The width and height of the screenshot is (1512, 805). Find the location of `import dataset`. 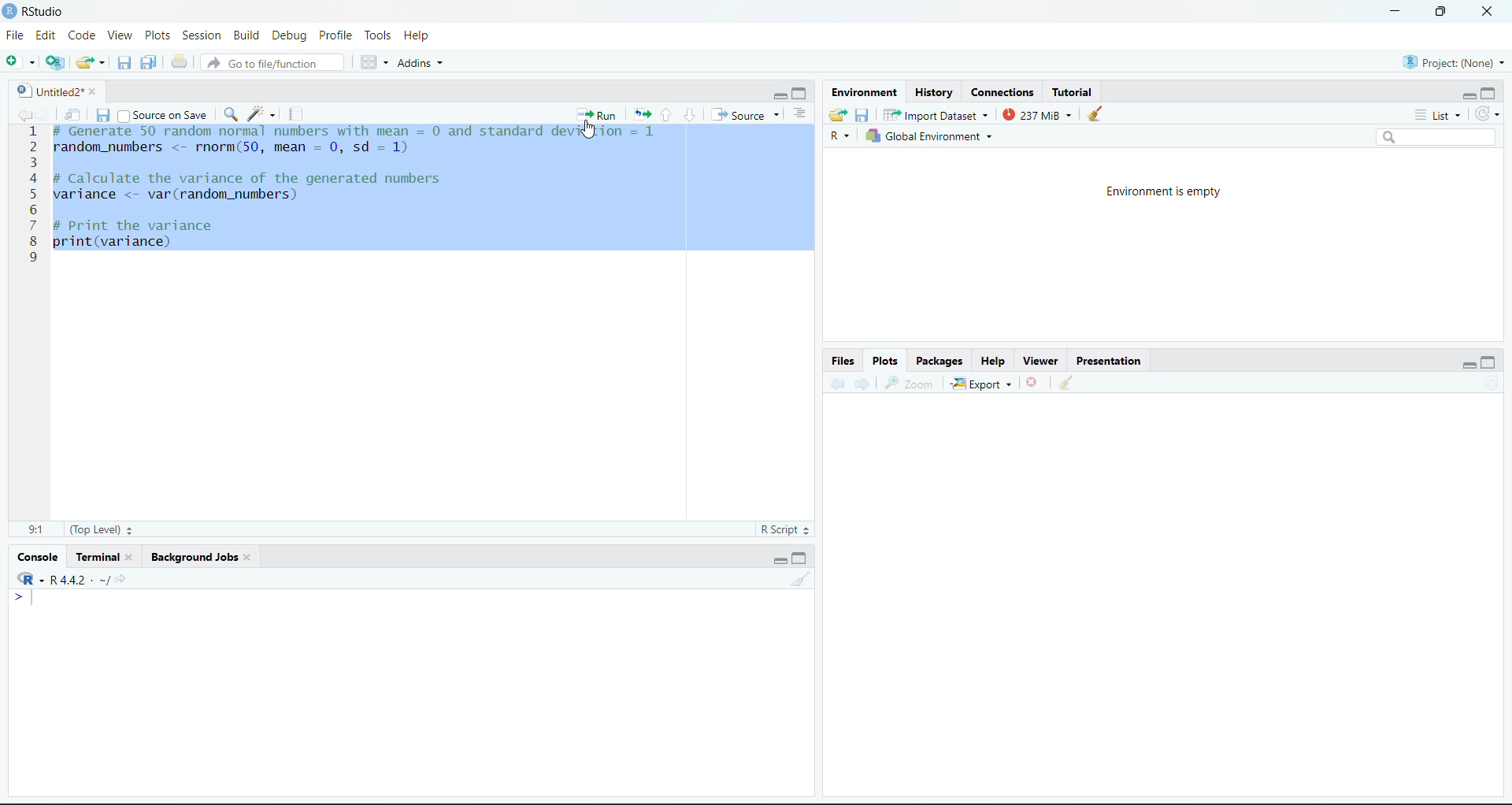

import dataset is located at coordinates (934, 115).